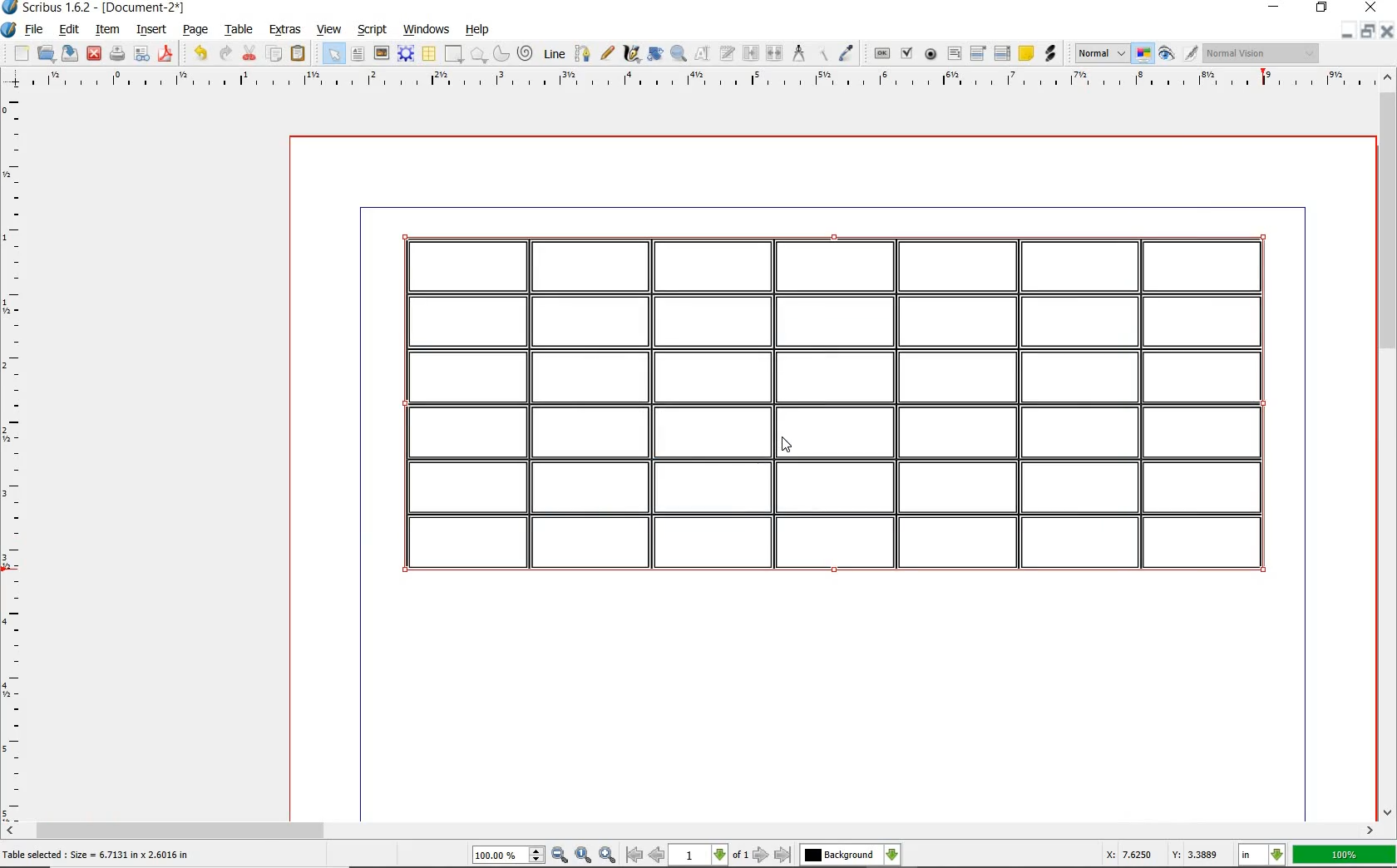 The height and width of the screenshot is (868, 1397). I want to click on image frame, so click(380, 54).